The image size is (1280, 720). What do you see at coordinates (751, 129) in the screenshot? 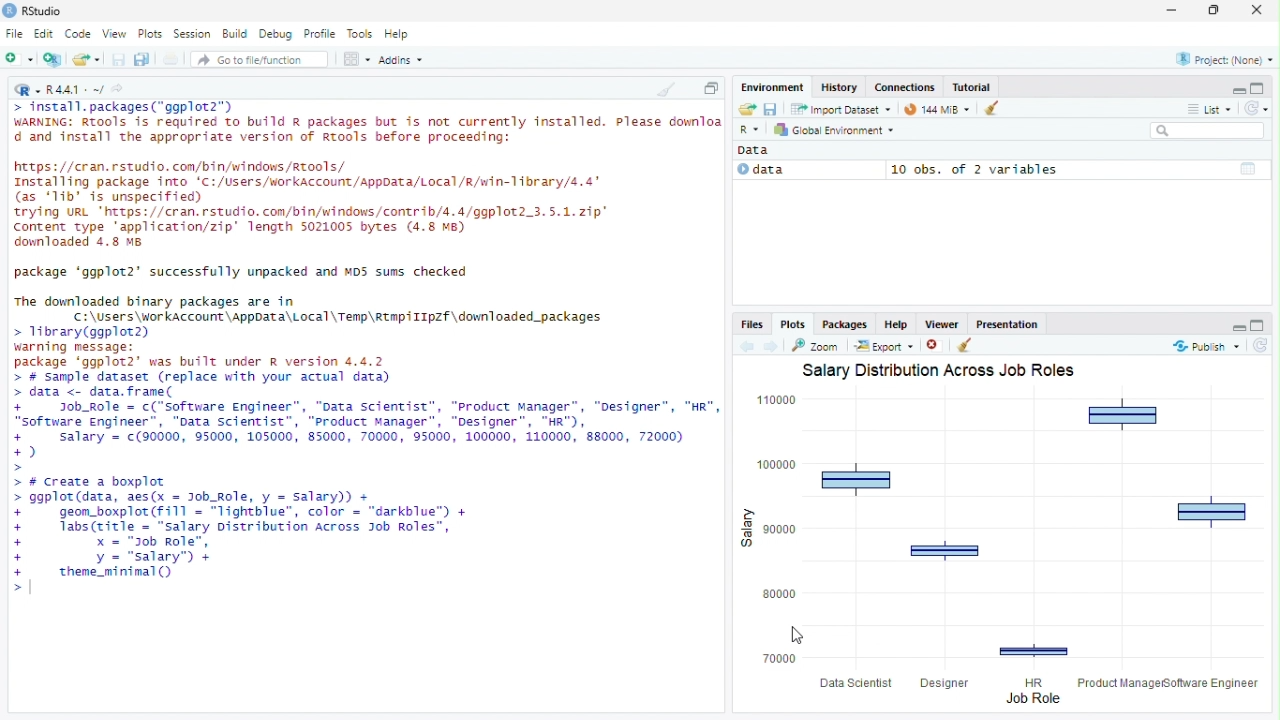
I see `R language` at bounding box center [751, 129].